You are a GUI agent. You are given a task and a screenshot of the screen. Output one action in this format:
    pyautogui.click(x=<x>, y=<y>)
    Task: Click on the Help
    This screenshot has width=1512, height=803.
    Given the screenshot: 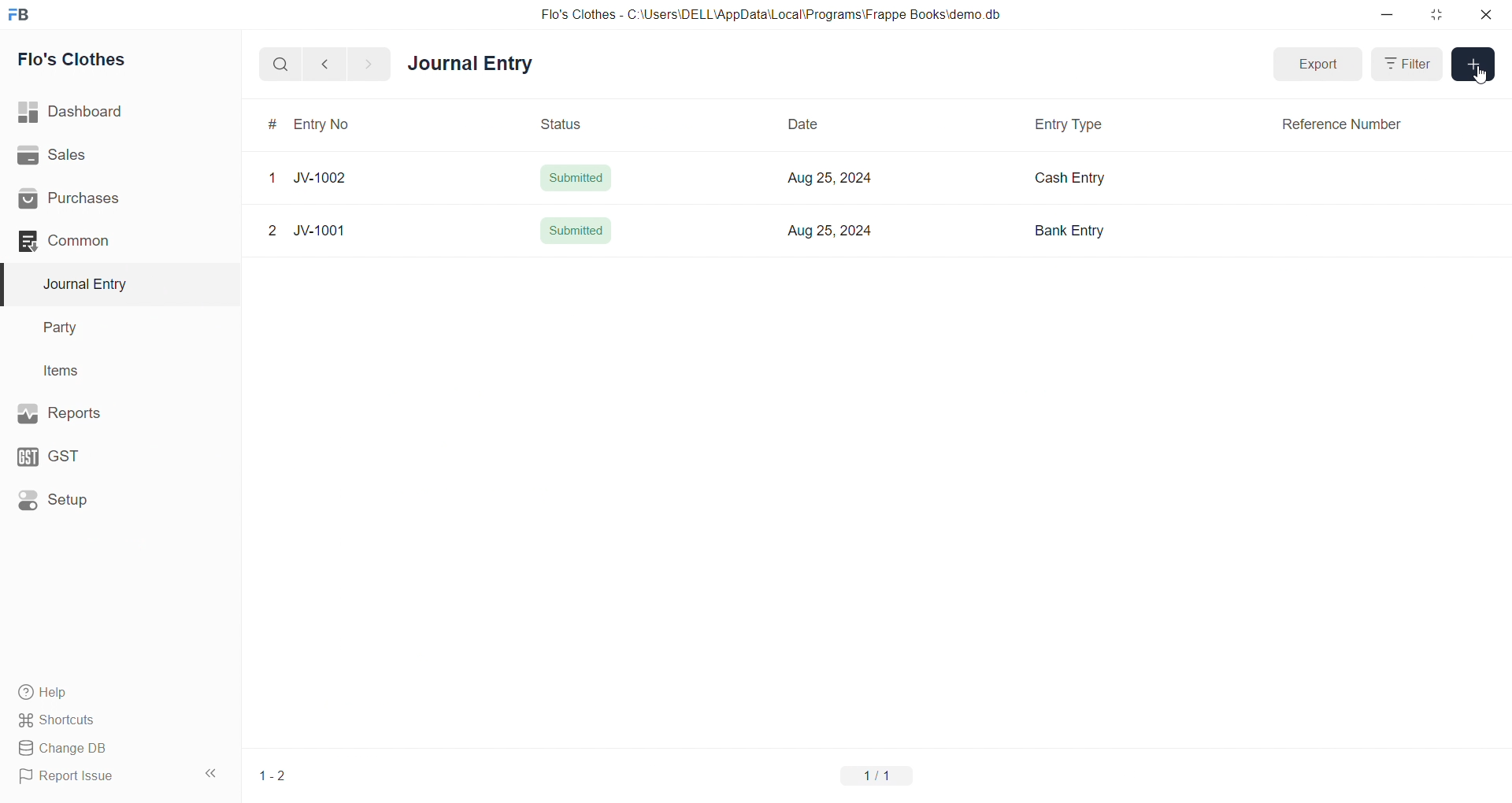 What is the action you would take?
    pyautogui.click(x=114, y=691)
    